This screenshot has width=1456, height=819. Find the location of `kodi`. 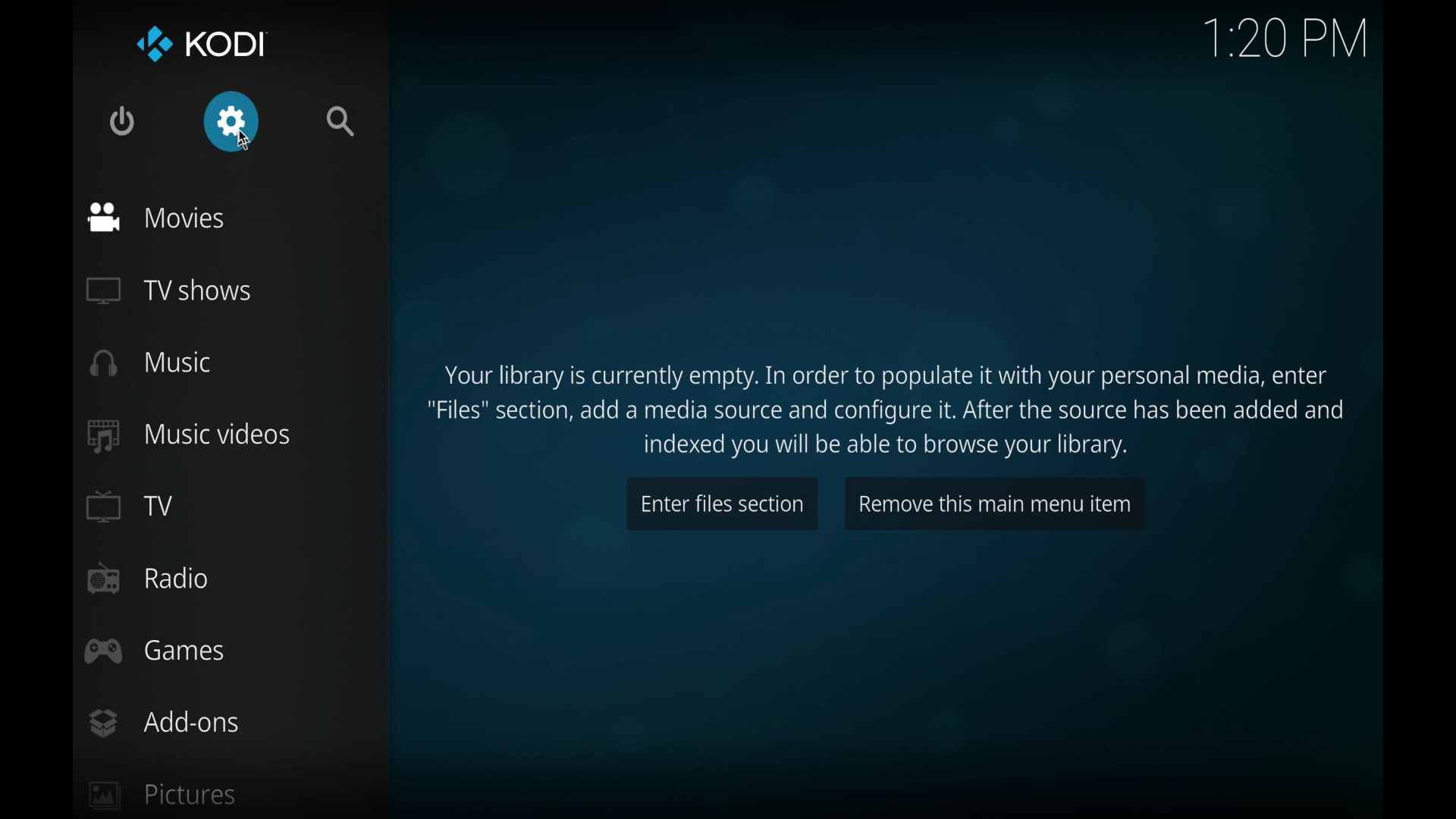

kodi is located at coordinates (201, 45).